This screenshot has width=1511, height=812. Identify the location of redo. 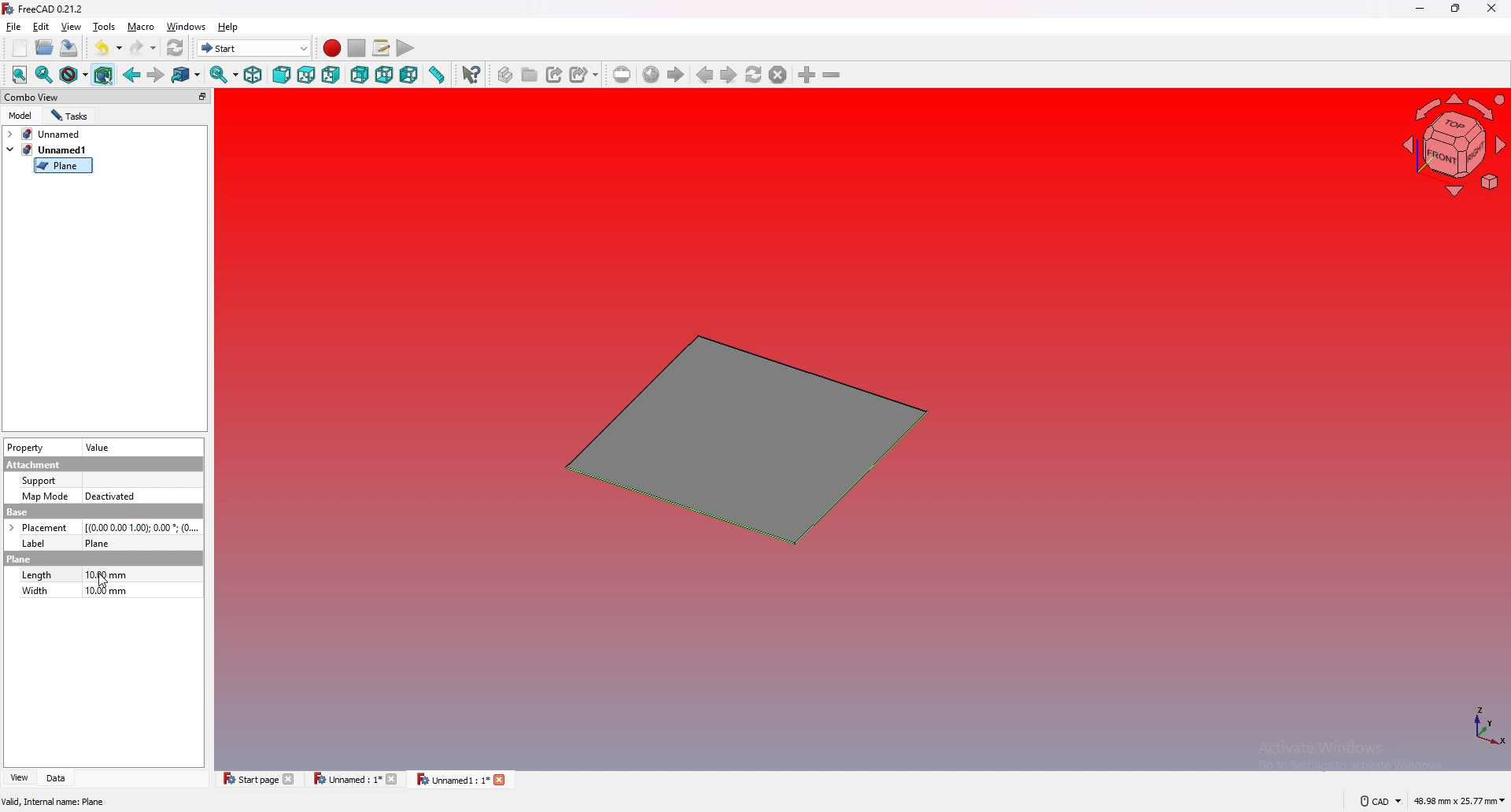
(144, 48).